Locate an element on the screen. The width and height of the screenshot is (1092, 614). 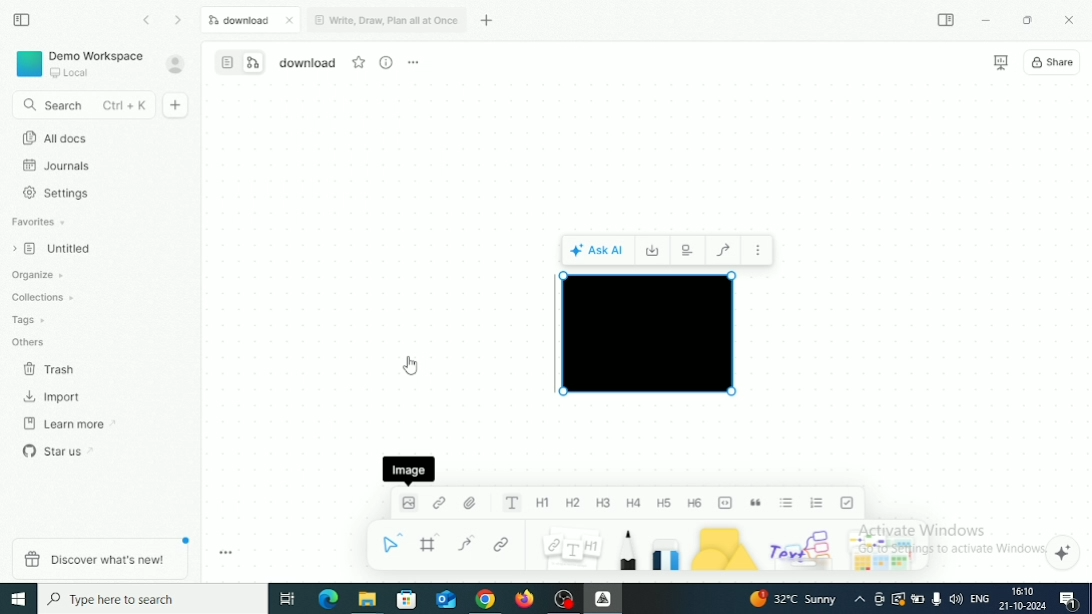
Organize is located at coordinates (40, 276).